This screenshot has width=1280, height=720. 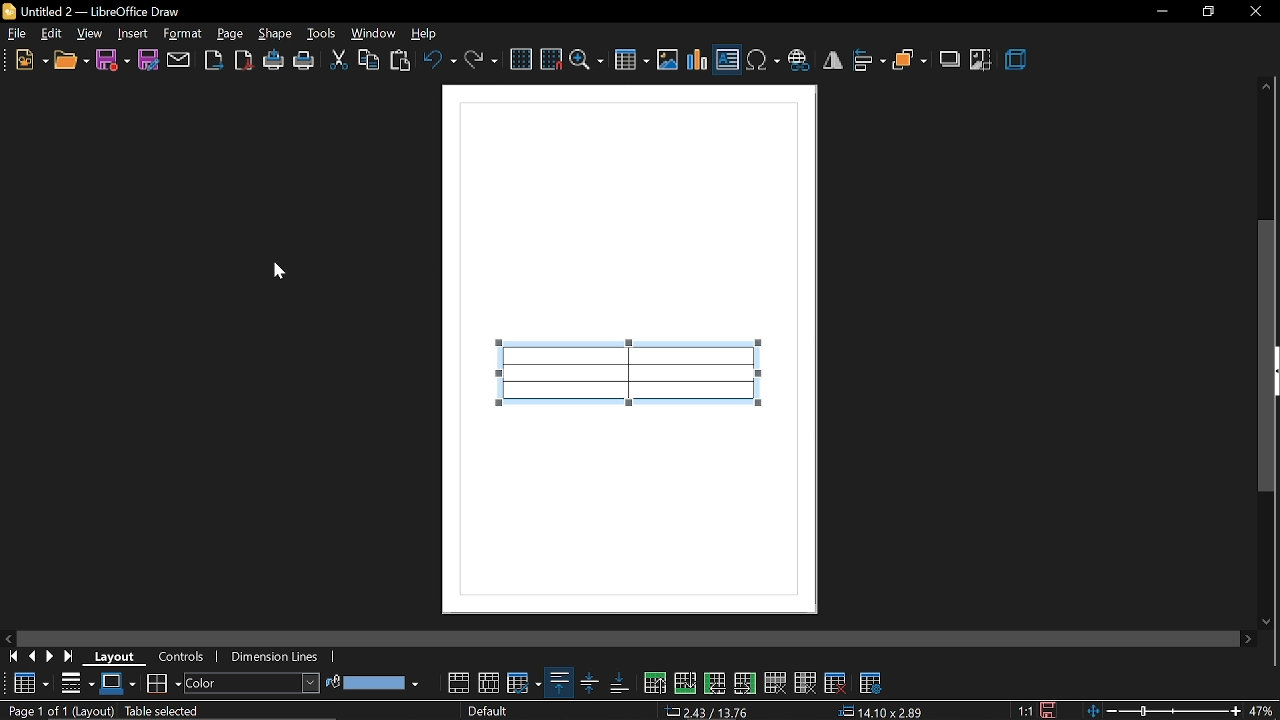 I want to click on new, so click(x=32, y=60).